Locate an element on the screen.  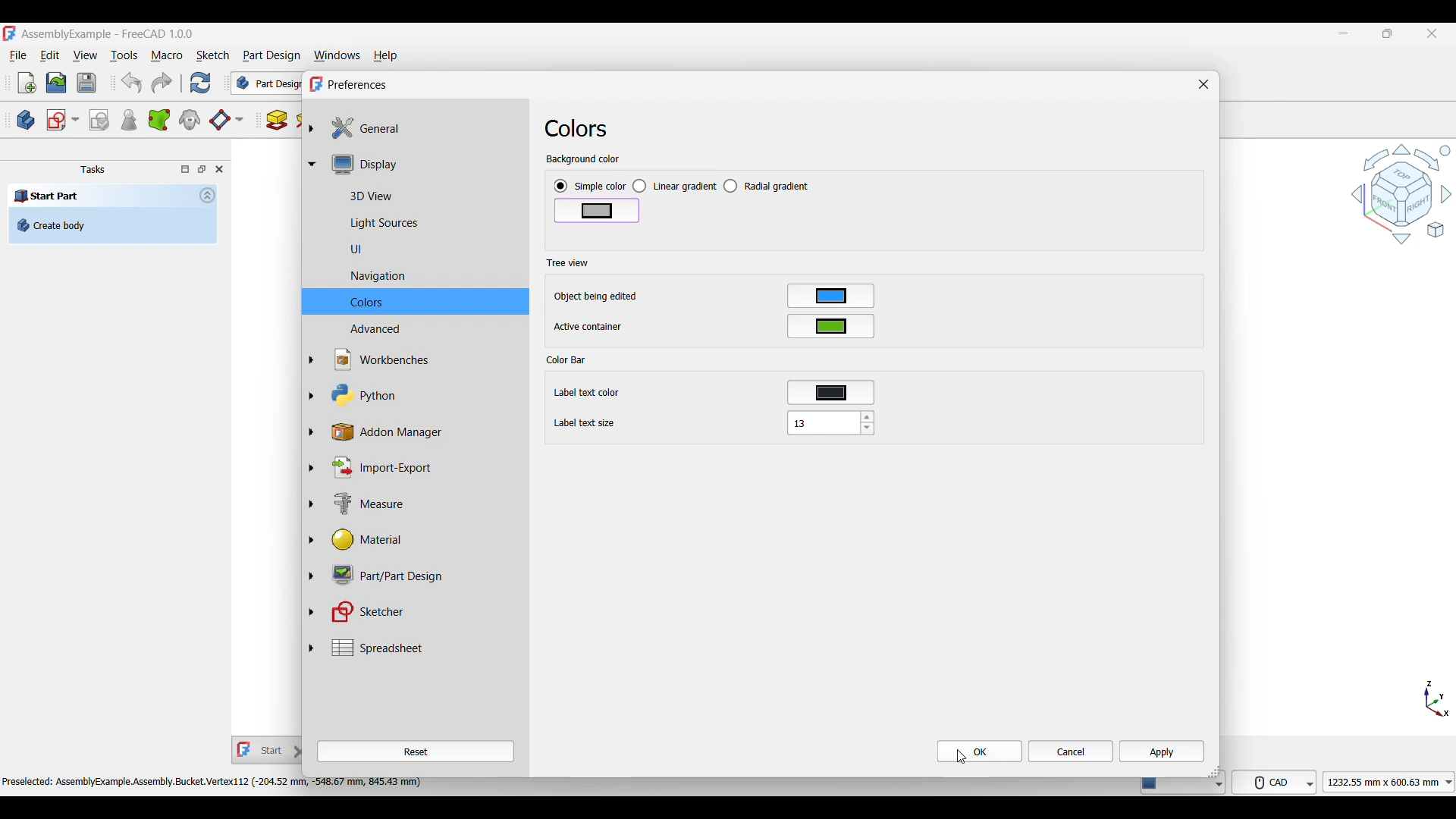
Active container is located at coordinates (589, 327).